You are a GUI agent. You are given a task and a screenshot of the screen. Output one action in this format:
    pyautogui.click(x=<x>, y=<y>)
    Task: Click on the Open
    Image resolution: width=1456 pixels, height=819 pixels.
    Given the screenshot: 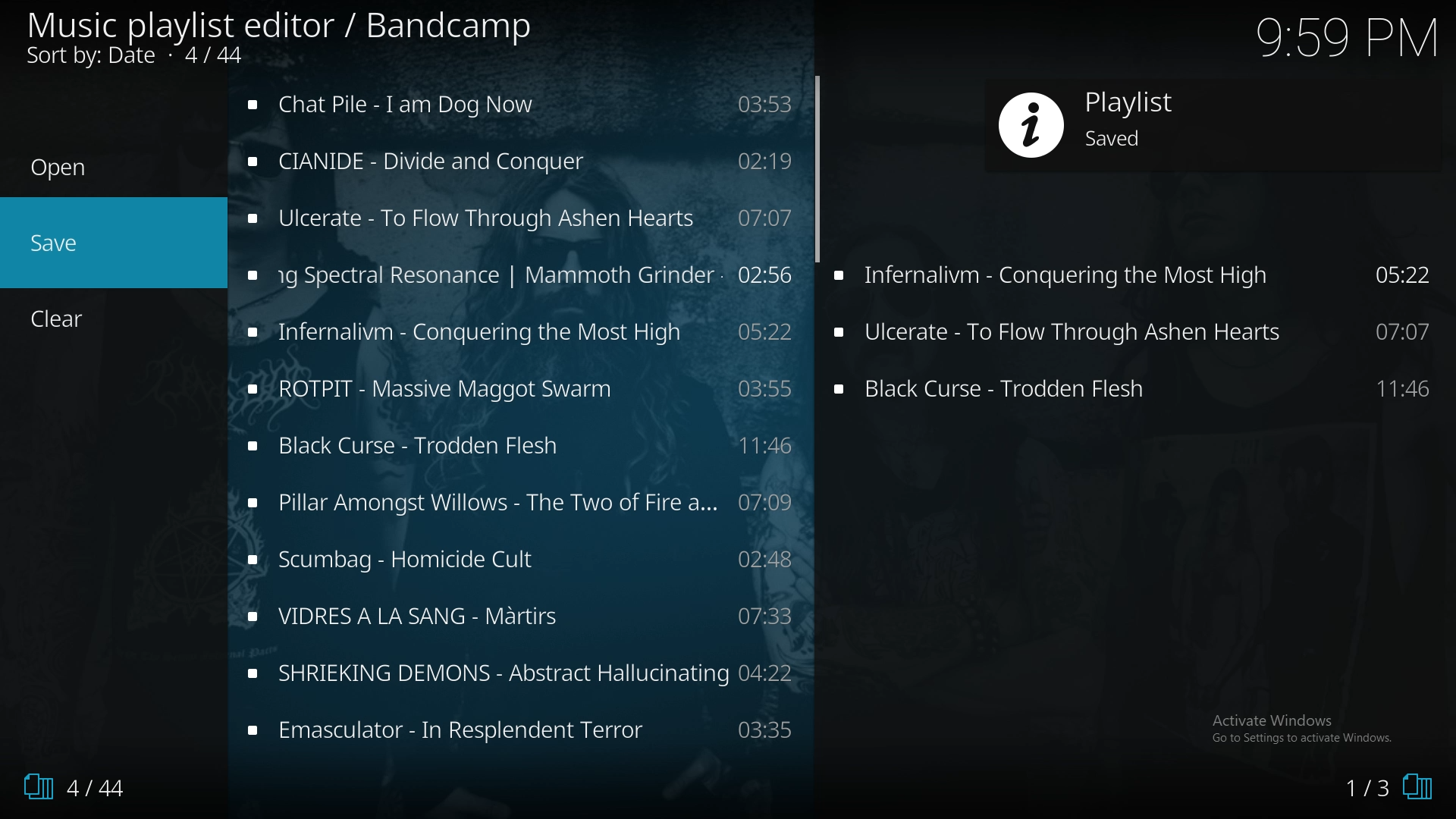 What is the action you would take?
    pyautogui.click(x=59, y=168)
    